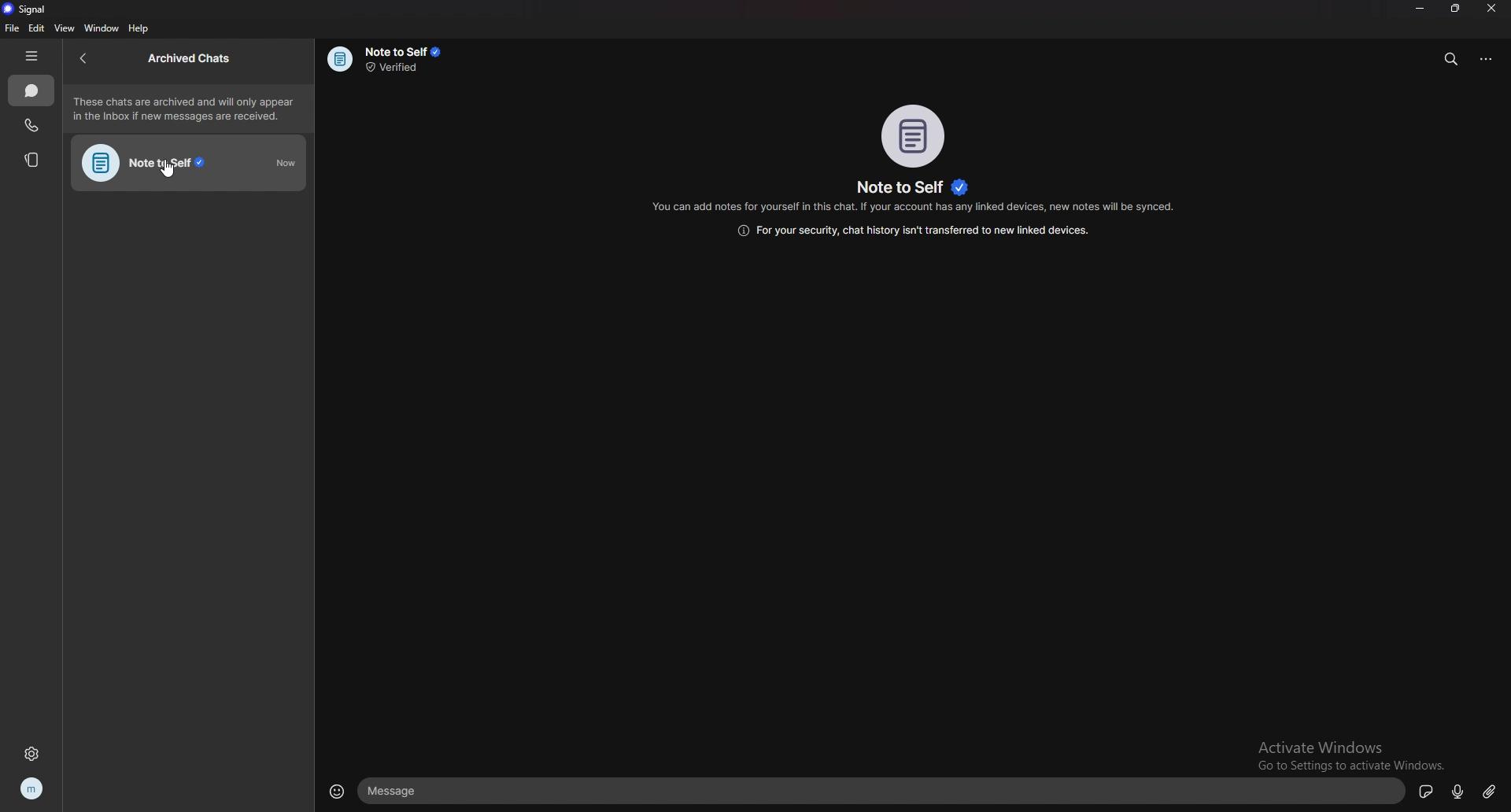 This screenshot has height=812, width=1511. I want to click on back, so click(84, 57).